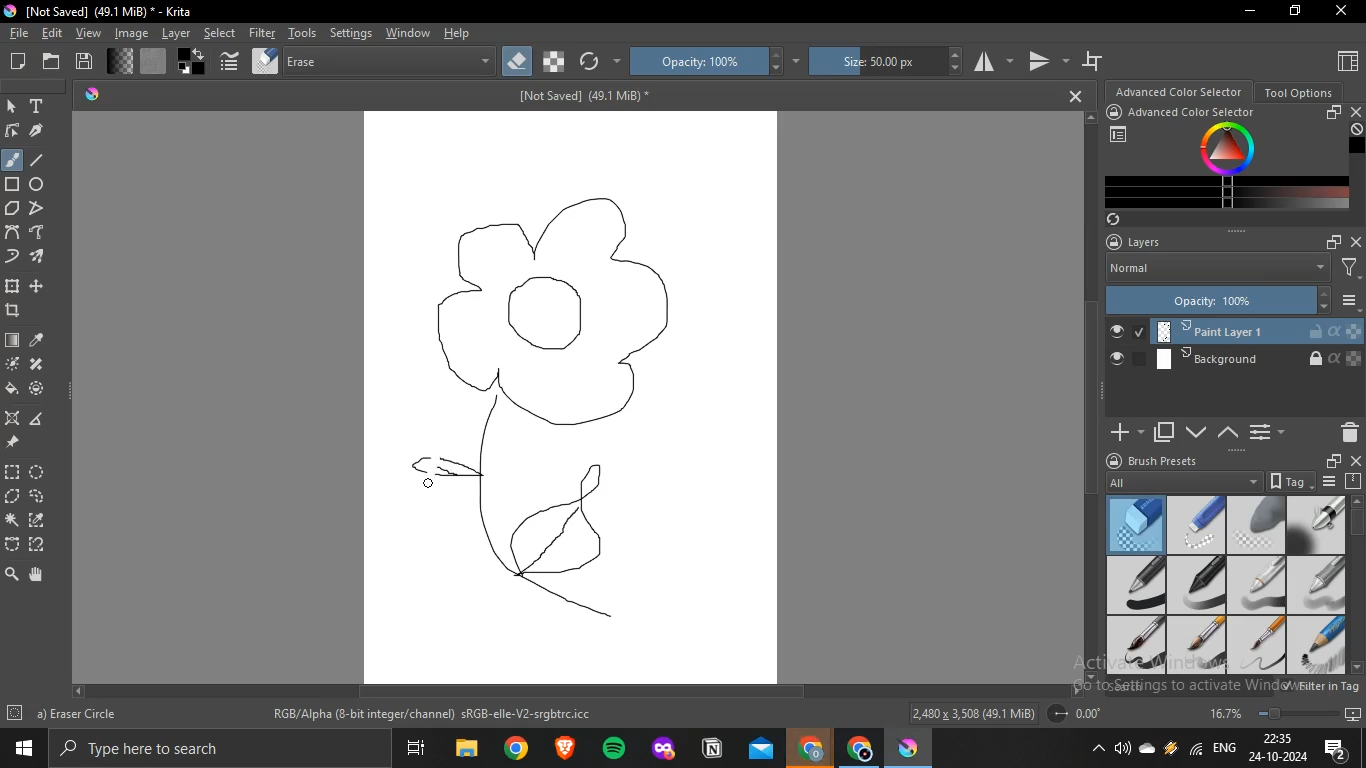 This screenshot has width=1366, height=768. I want to click on create new document, so click(21, 62).